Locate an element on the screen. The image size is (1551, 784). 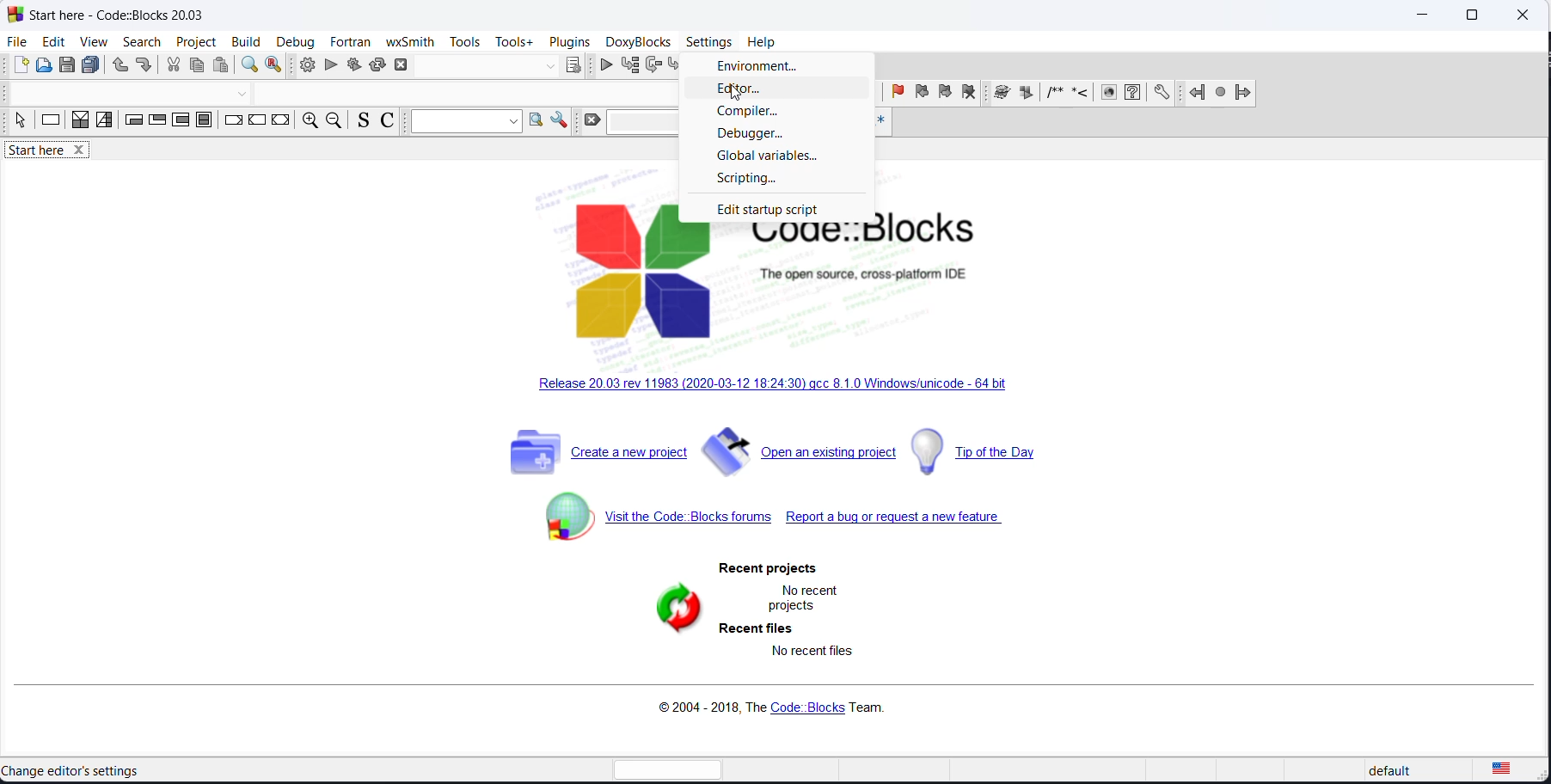
scripting is located at coordinates (782, 181).